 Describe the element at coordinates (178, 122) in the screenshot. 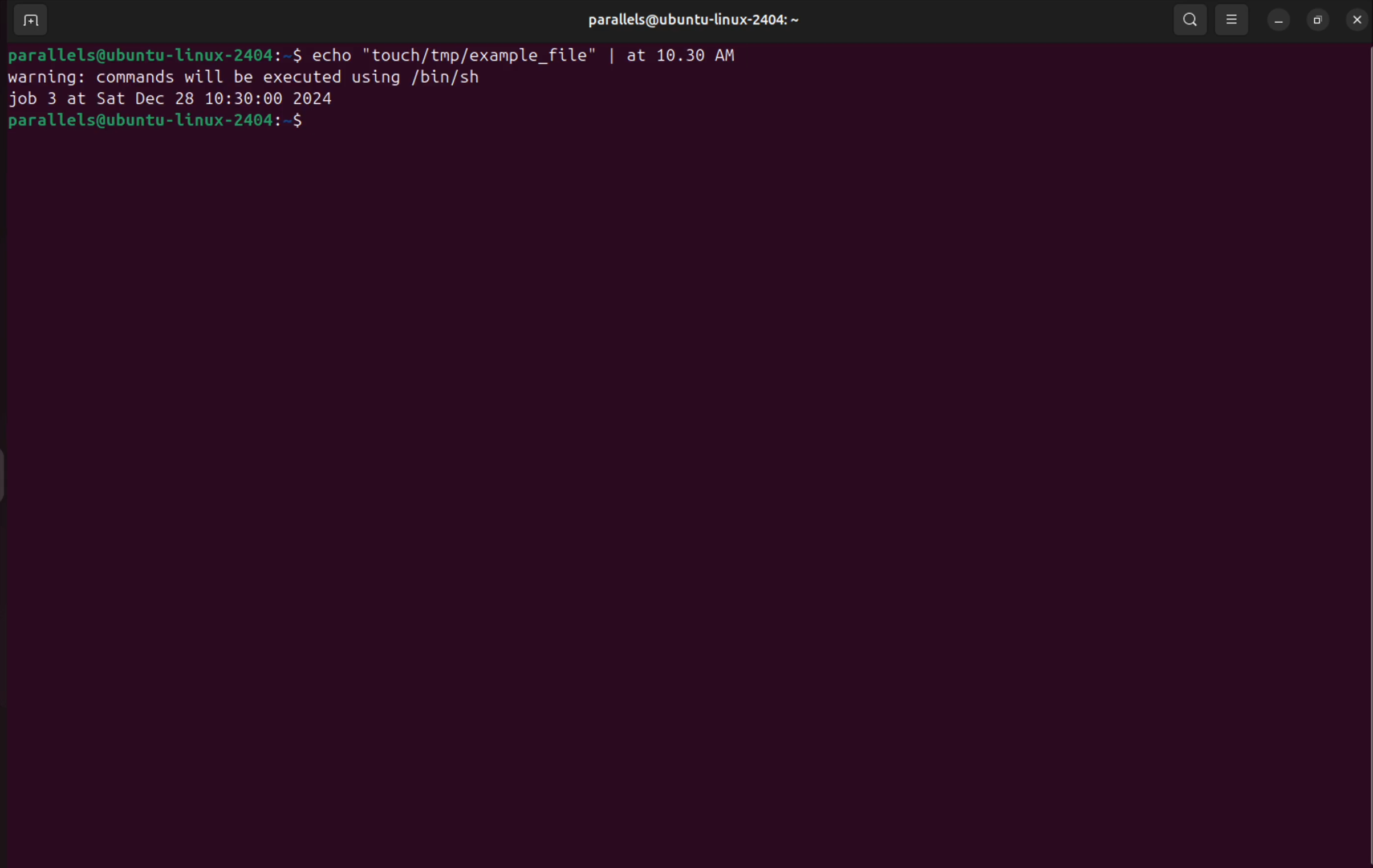

I see `bash prompt` at that location.